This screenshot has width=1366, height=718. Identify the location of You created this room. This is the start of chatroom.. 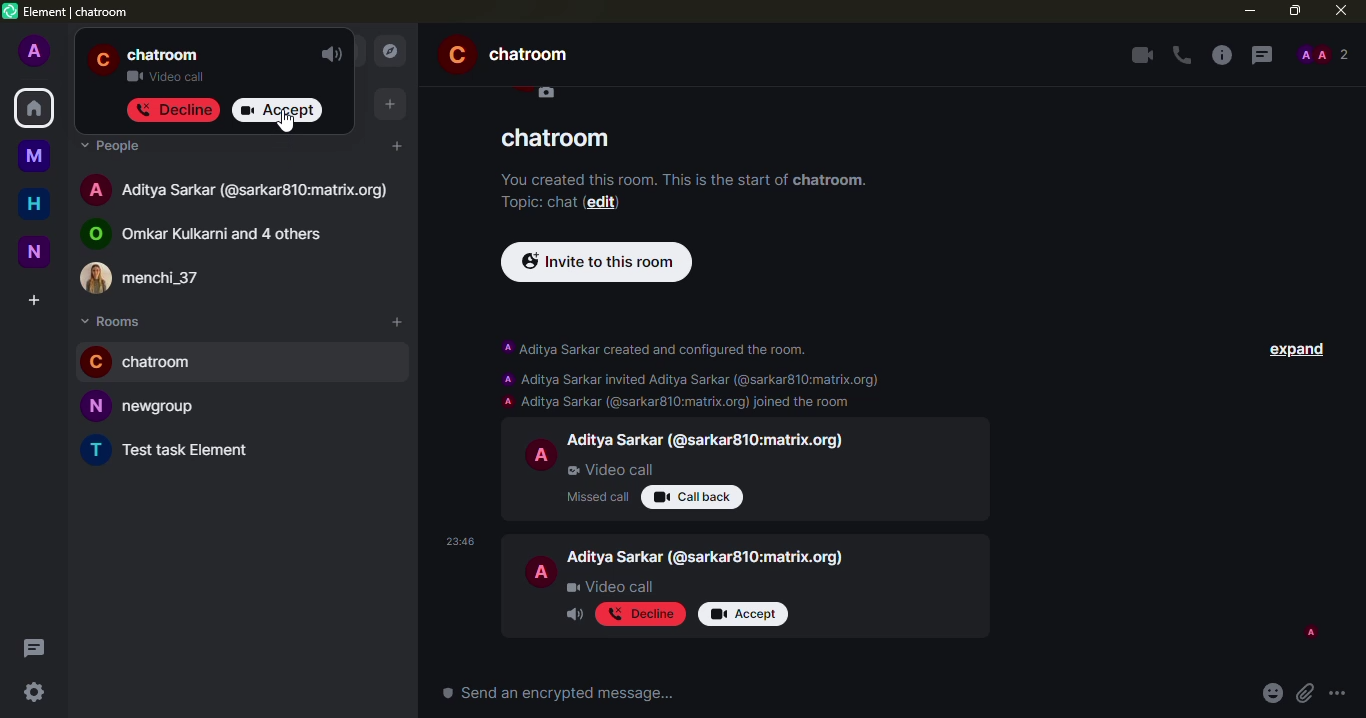
(678, 177).